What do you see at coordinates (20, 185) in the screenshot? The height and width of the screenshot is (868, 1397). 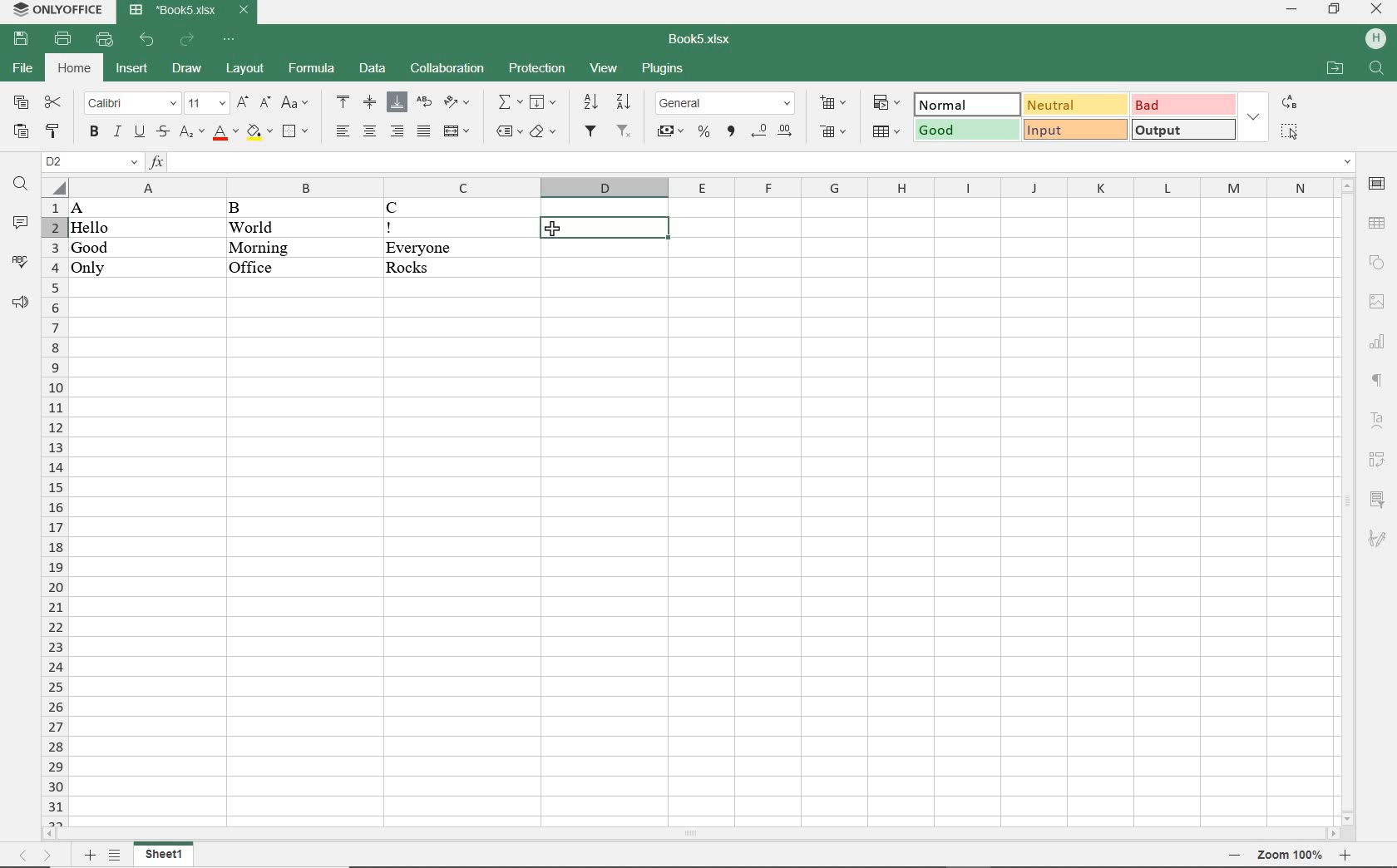 I see `find` at bounding box center [20, 185].